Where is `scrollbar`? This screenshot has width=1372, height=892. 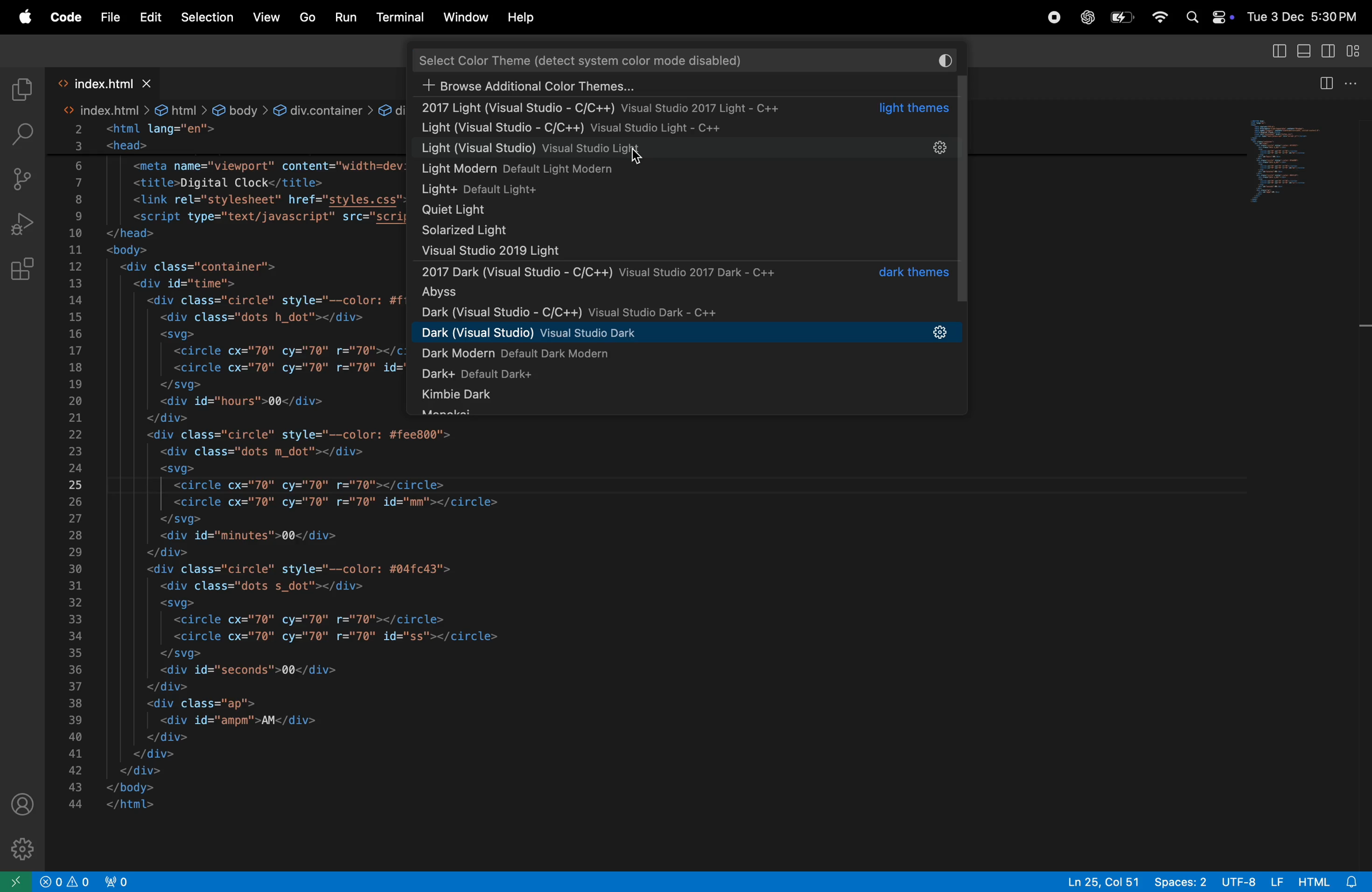
scrollbar is located at coordinates (968, 184).